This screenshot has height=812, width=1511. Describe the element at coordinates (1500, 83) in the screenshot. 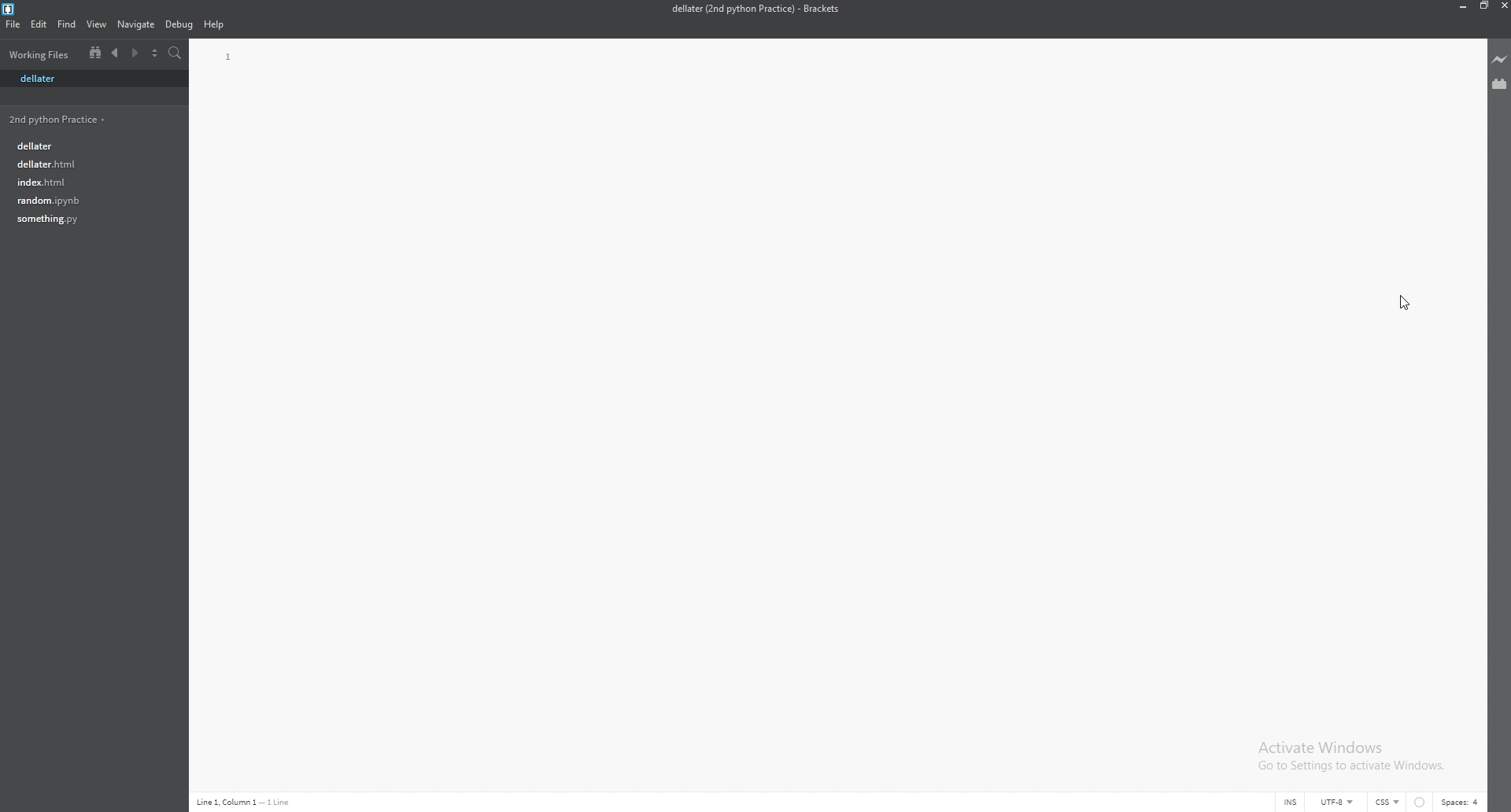

I see `extension manager` at that location.